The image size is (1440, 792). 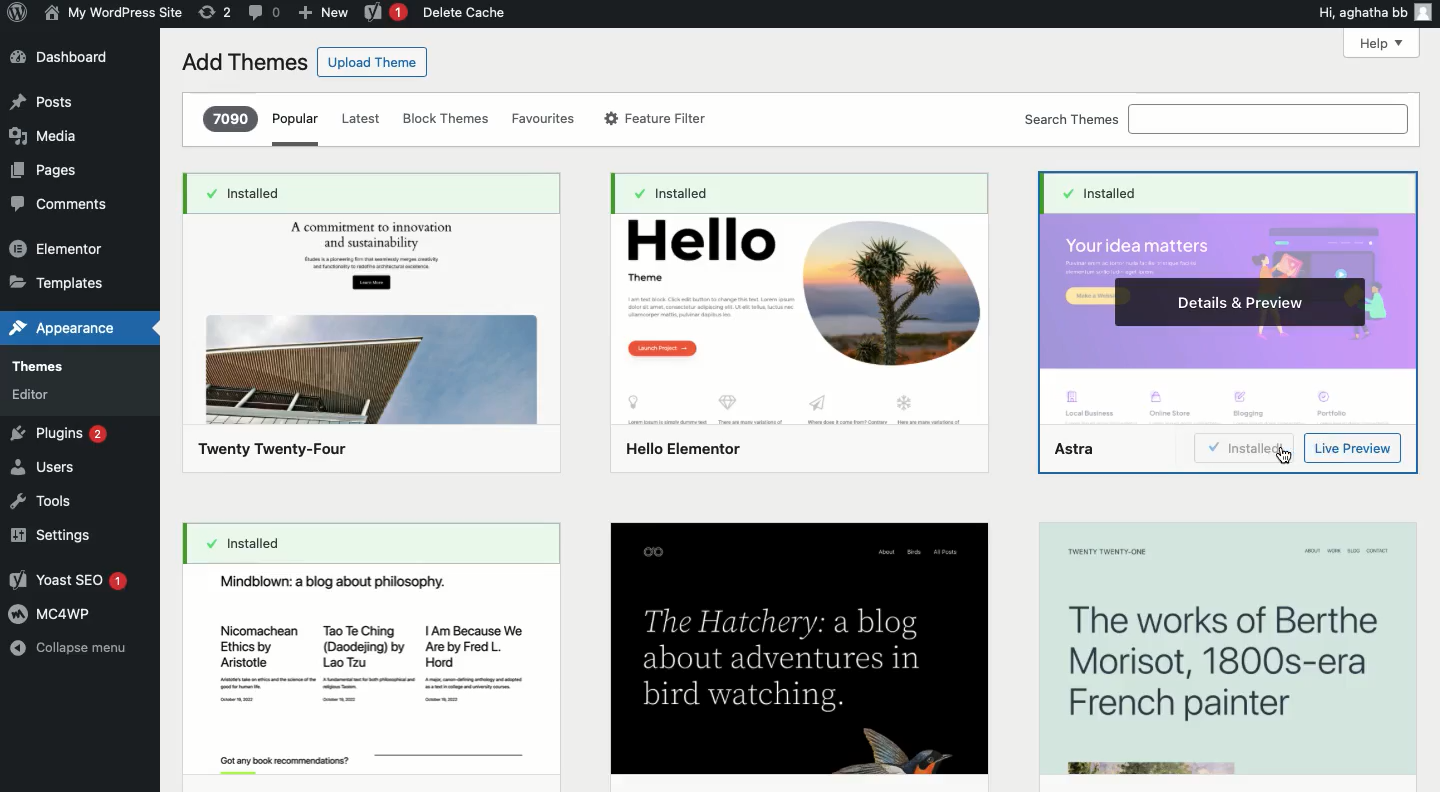 What do you see at coordinates (43, 100) in the screenshot?
I see `Post` at bounding box center [43, 100].